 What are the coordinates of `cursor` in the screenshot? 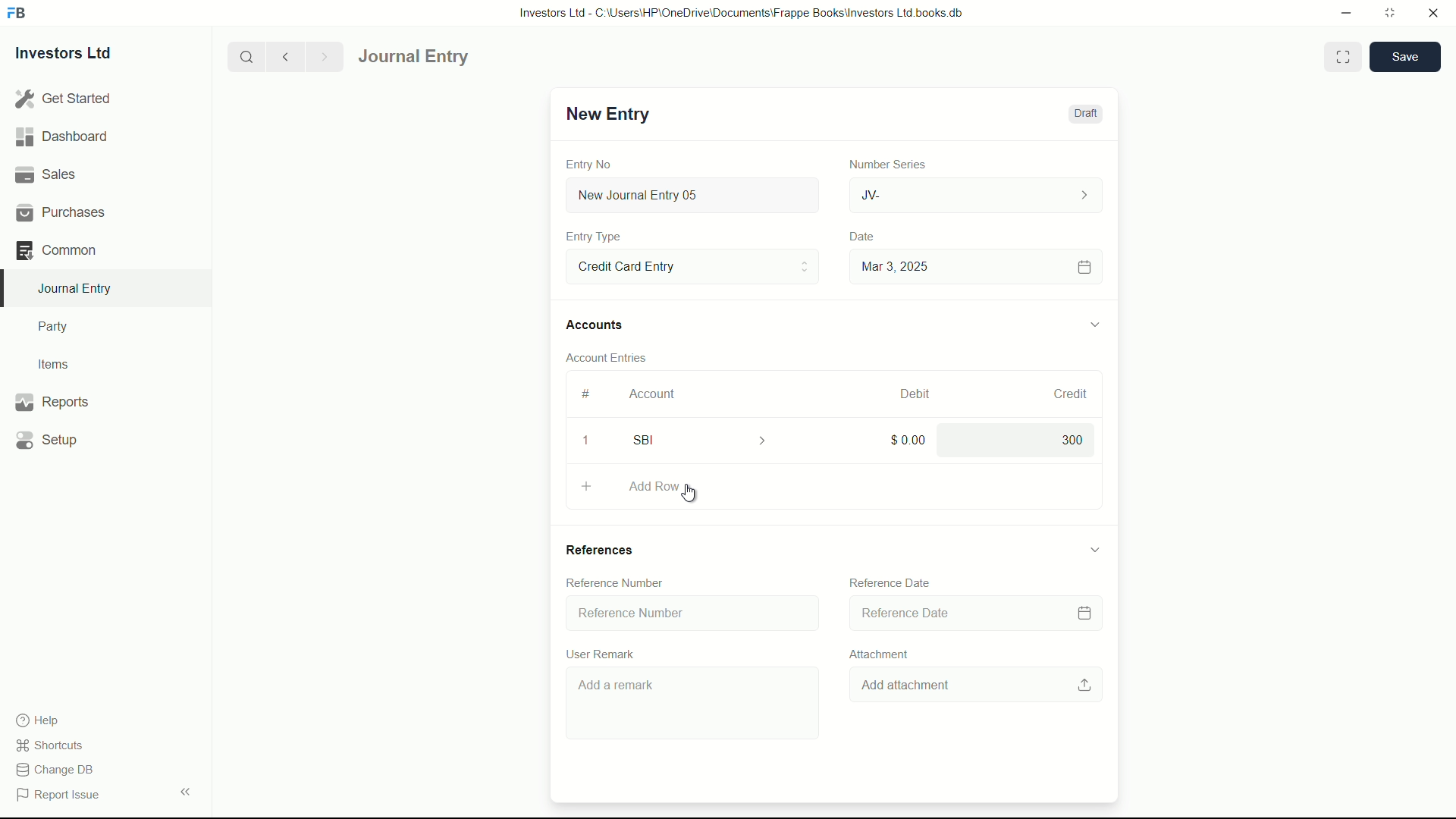 It's located at (691, 494).